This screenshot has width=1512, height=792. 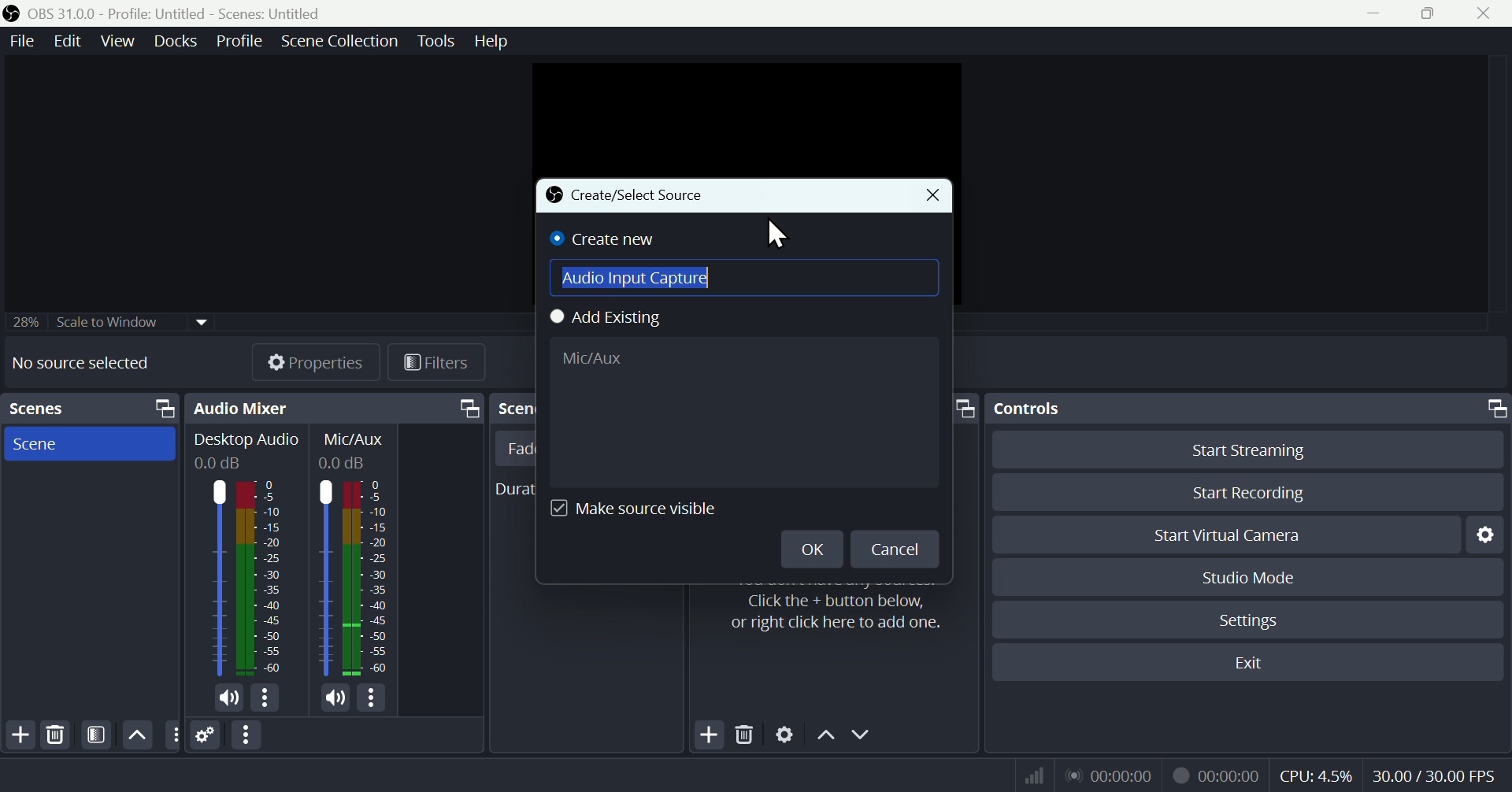 I want to click on Restore, so click(x=1432, y=13).